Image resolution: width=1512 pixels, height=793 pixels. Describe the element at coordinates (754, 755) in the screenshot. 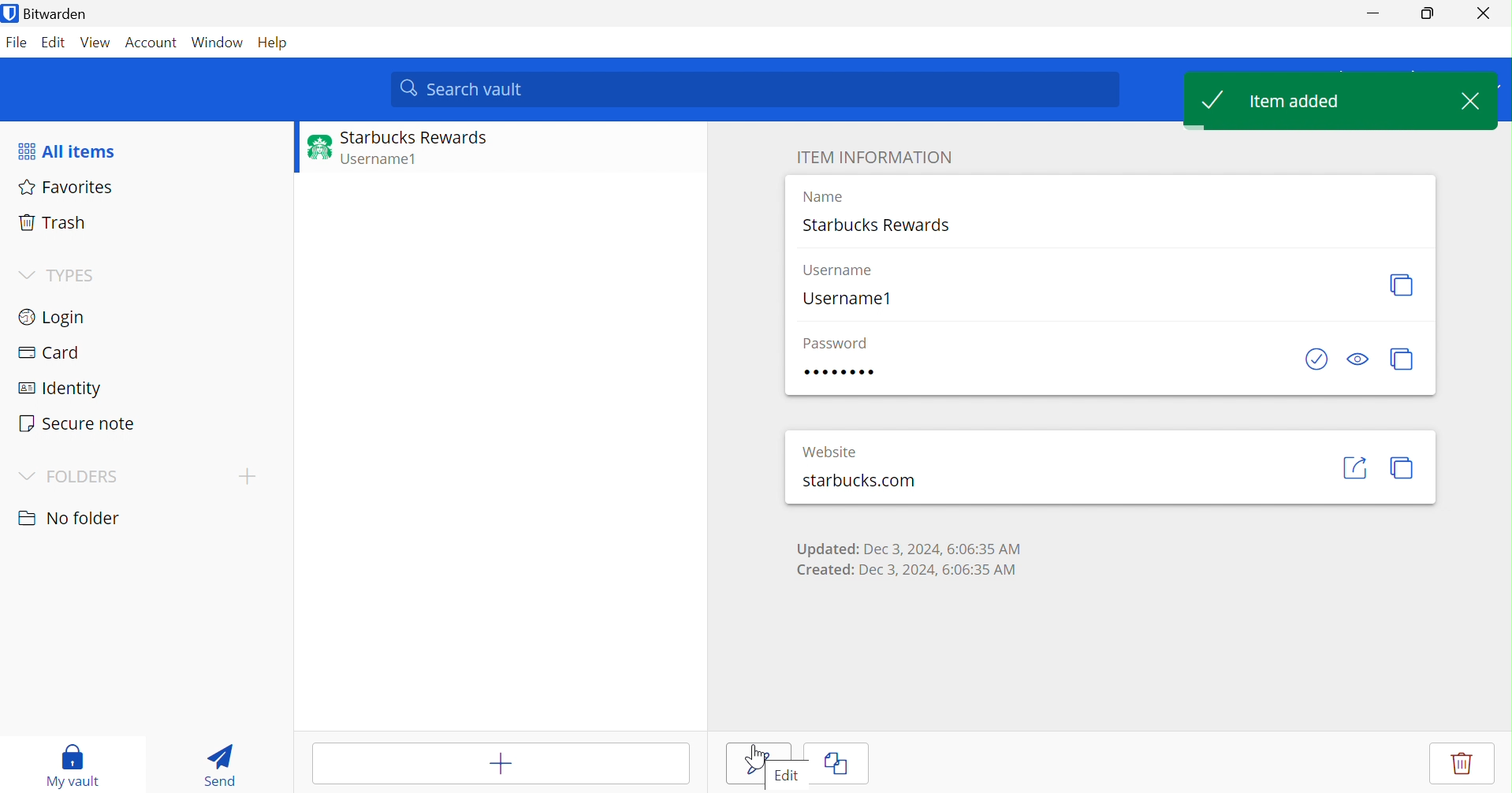

I see `Cursor` at that location.